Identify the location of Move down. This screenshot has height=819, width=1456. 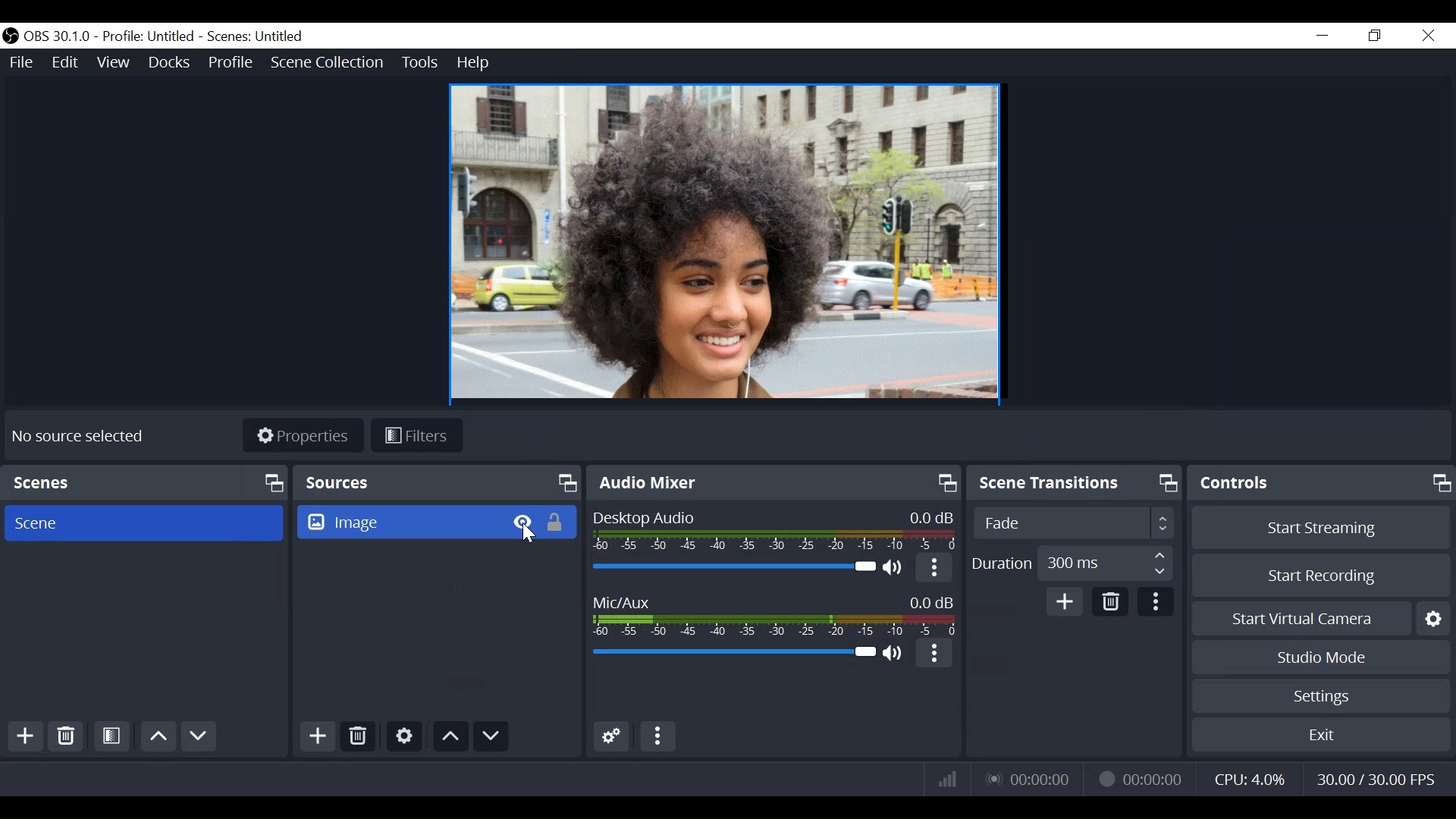
(199, 736).